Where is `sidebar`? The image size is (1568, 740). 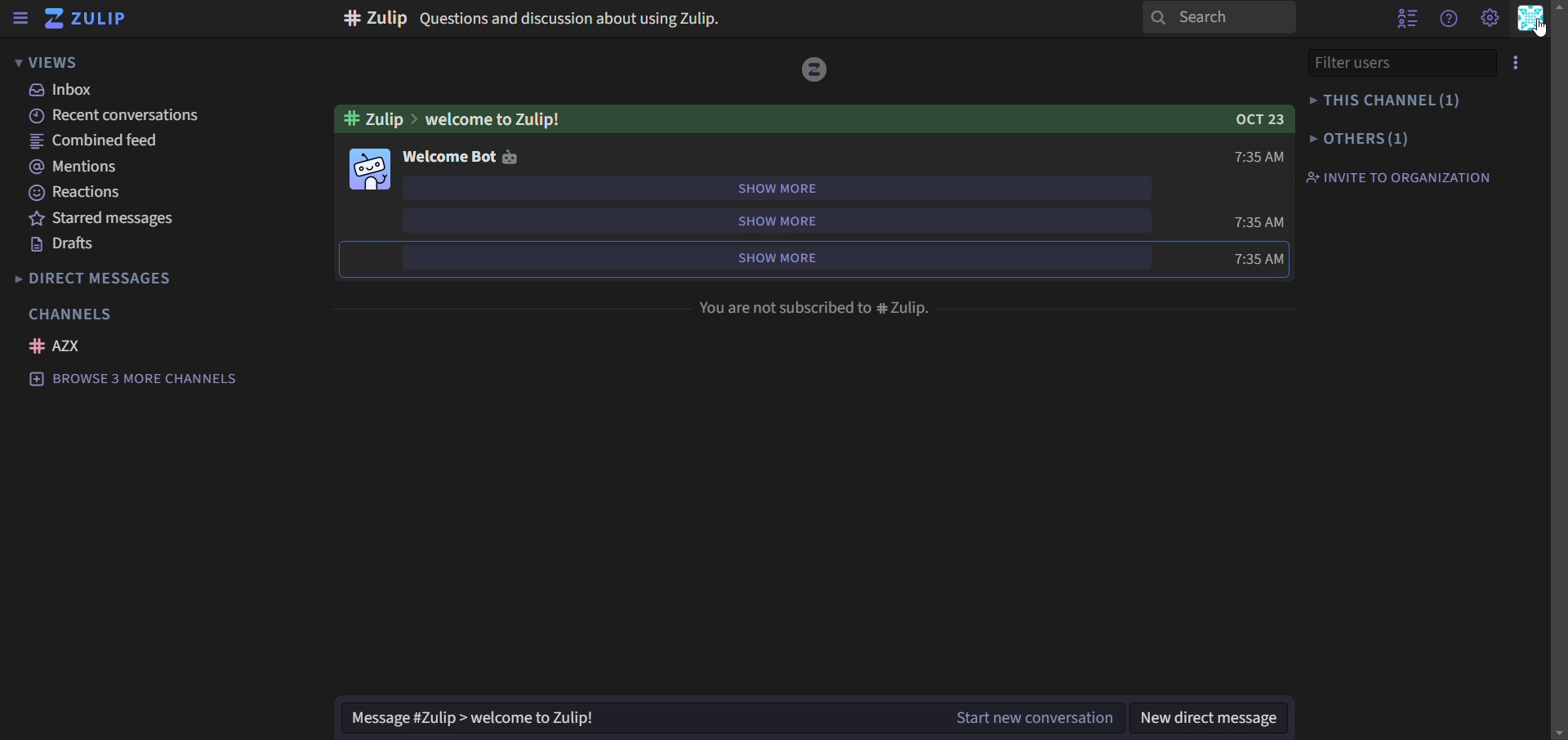
sidebar is located at coordinates (20, 18).